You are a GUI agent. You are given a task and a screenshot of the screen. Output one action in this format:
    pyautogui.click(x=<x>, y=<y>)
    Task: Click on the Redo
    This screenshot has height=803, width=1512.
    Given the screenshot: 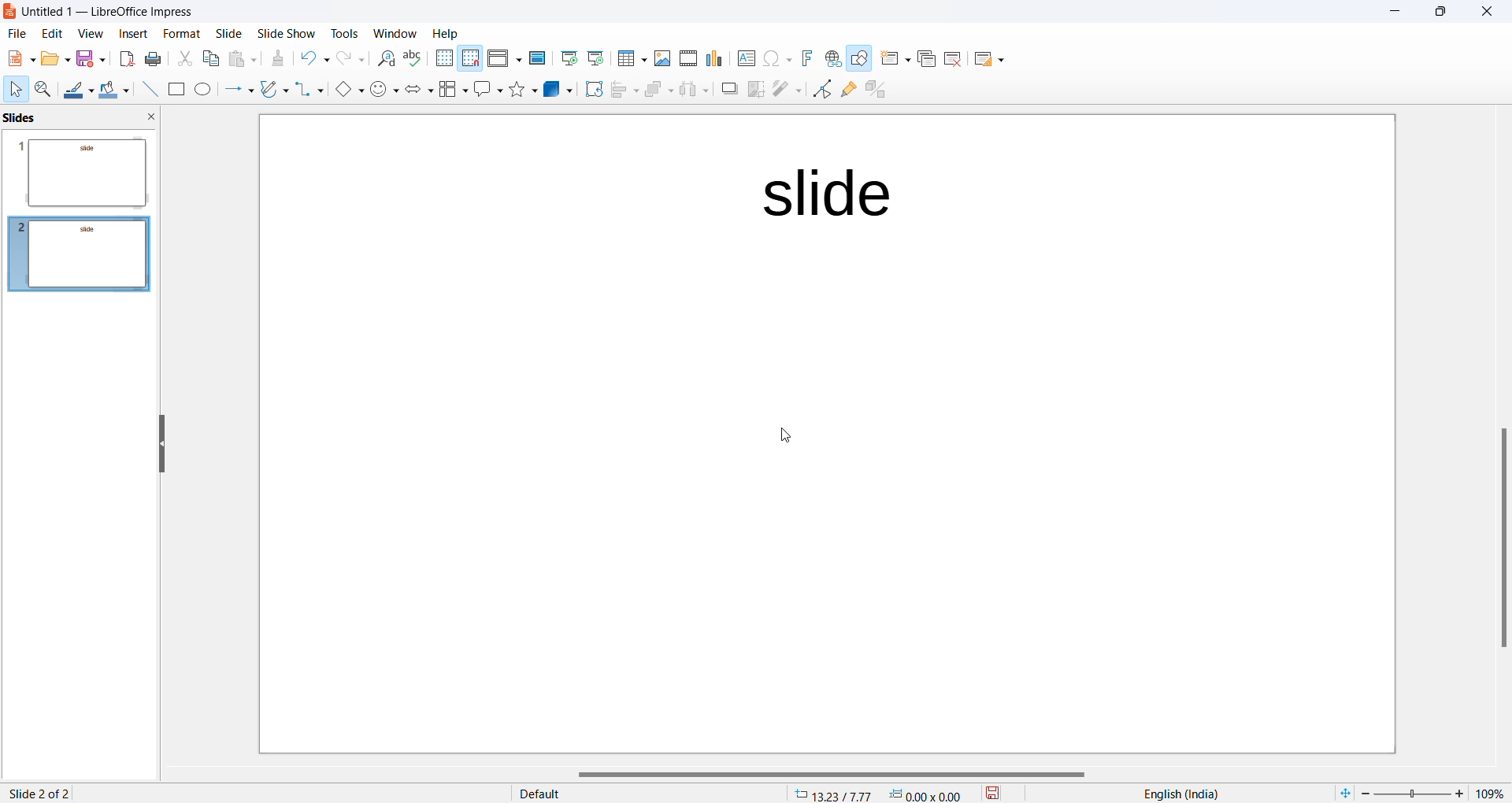 What is the action you would take?
    pyautogui.click(x=351, y=58)
    